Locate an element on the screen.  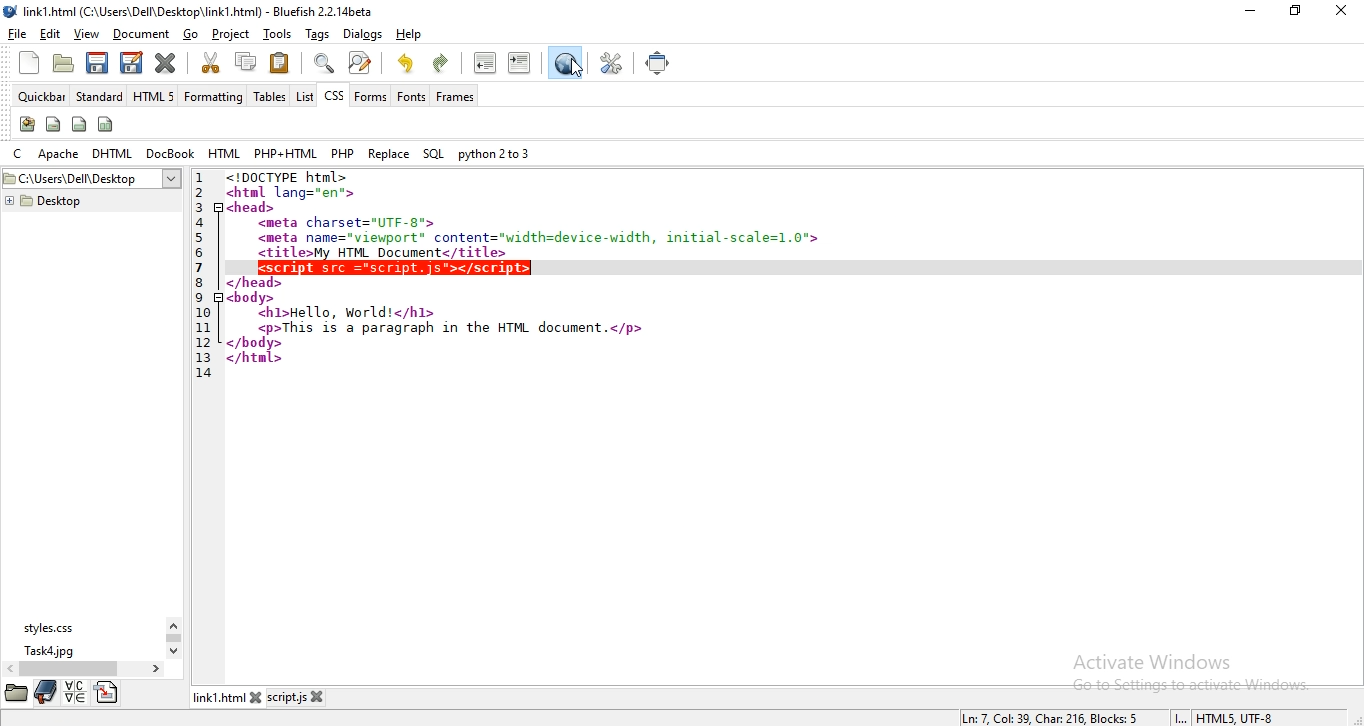
advanced find and replace is located at coordinates (360, 62).